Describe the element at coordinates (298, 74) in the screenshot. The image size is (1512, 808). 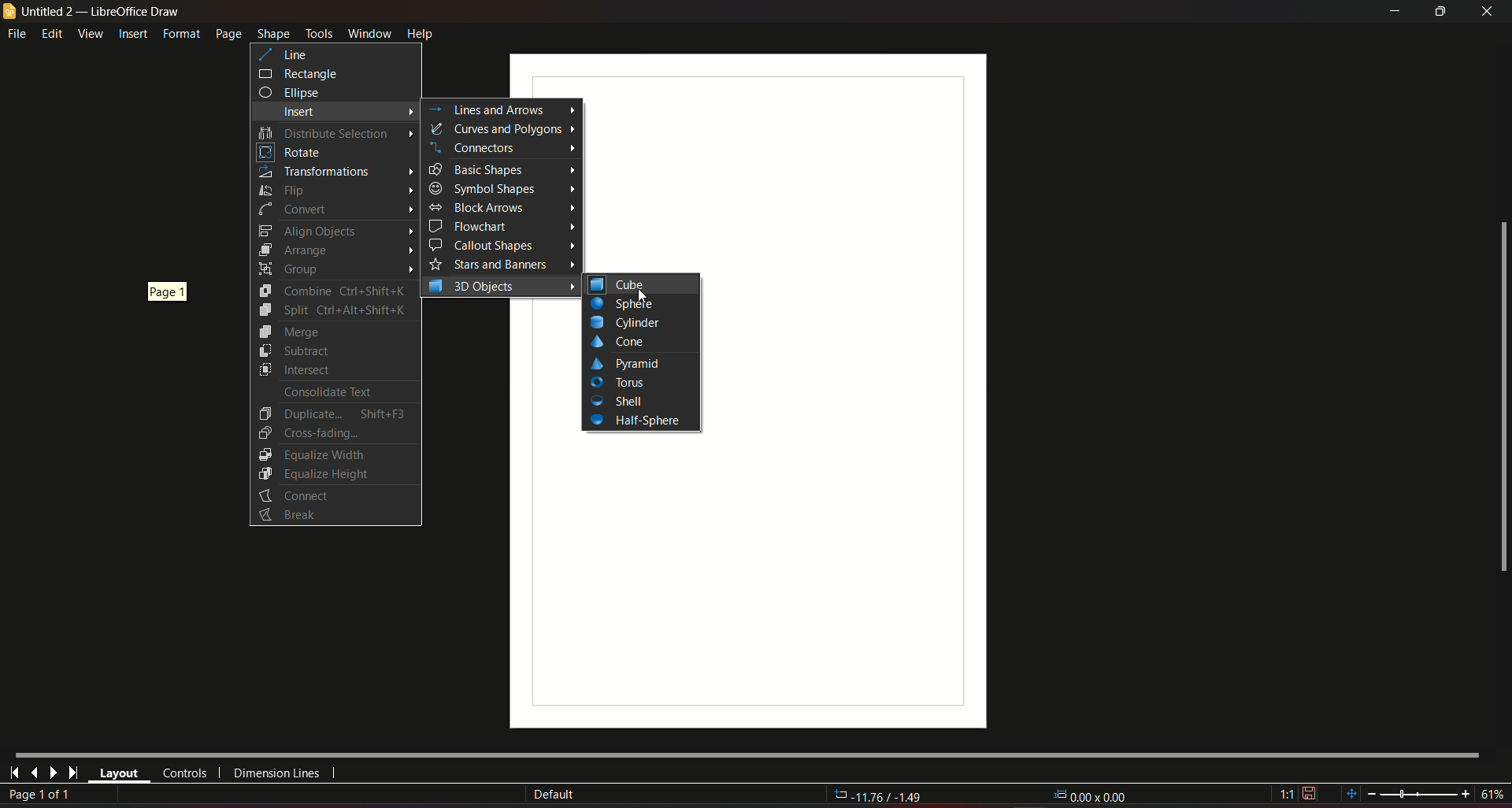
I see `rectangle` at that location.